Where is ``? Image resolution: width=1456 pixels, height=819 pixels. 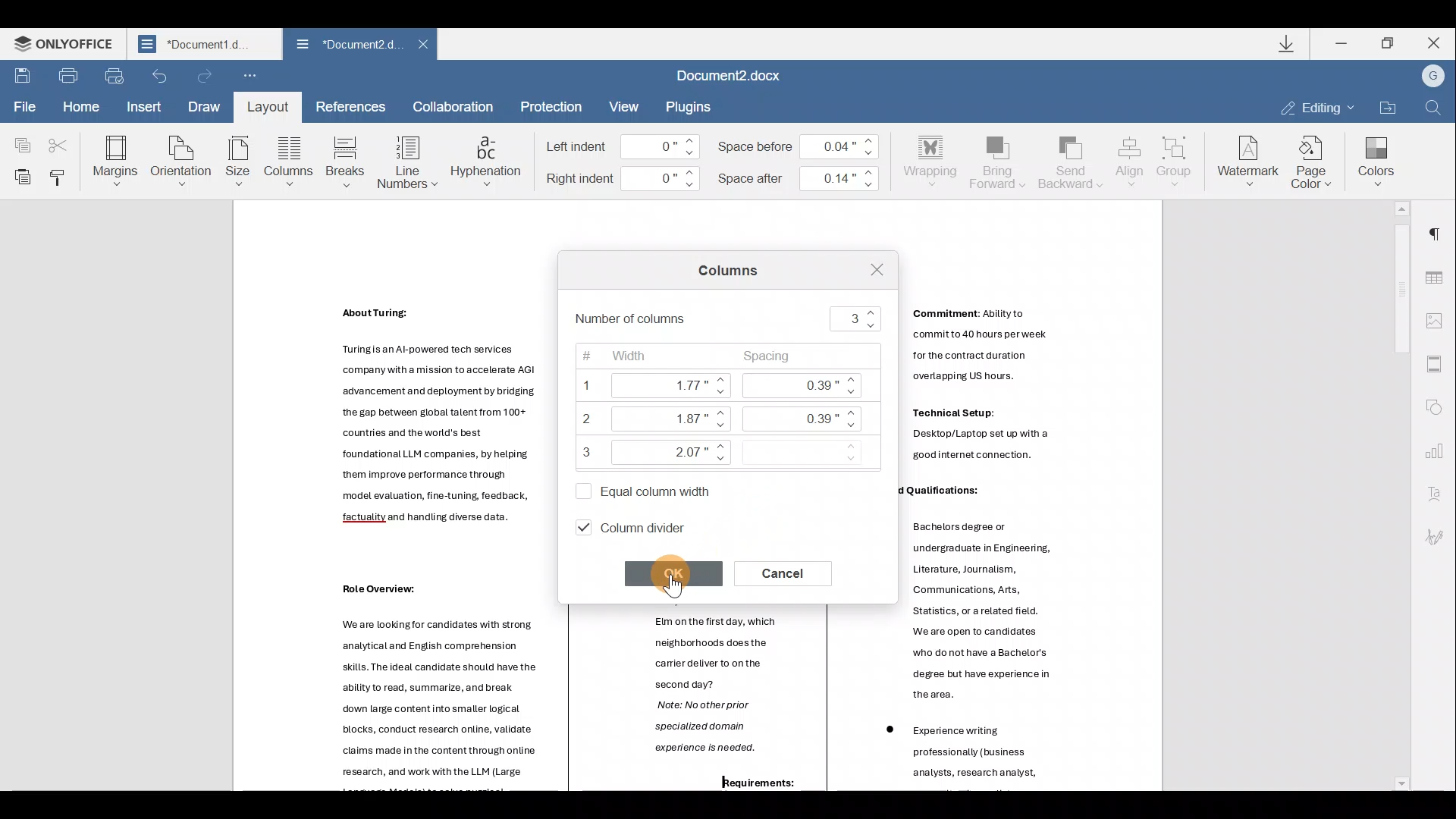  is located at coordinates (977, 350).